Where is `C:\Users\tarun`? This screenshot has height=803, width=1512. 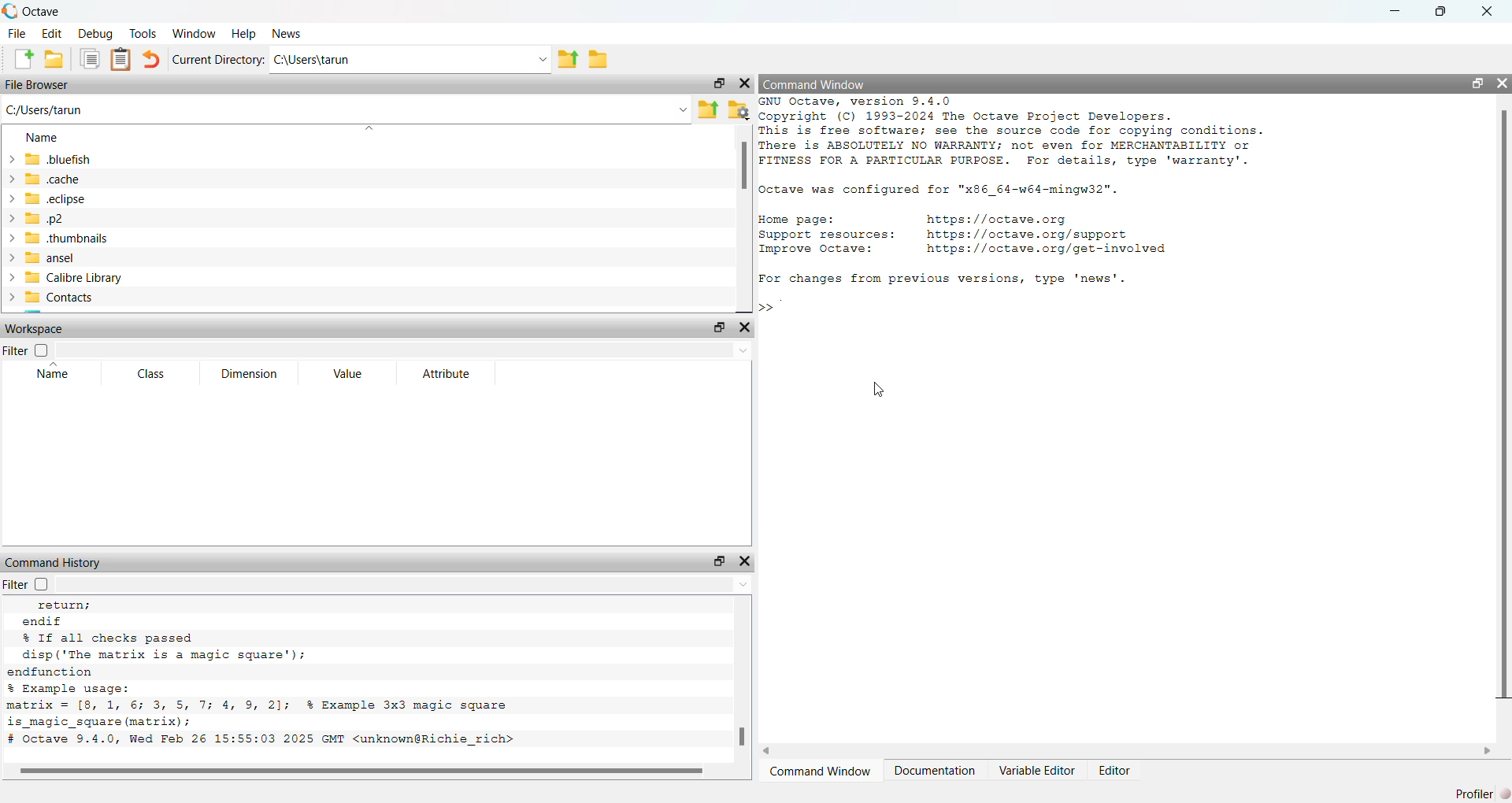 C:\Users\tarun is located at coordinates (46, 109).